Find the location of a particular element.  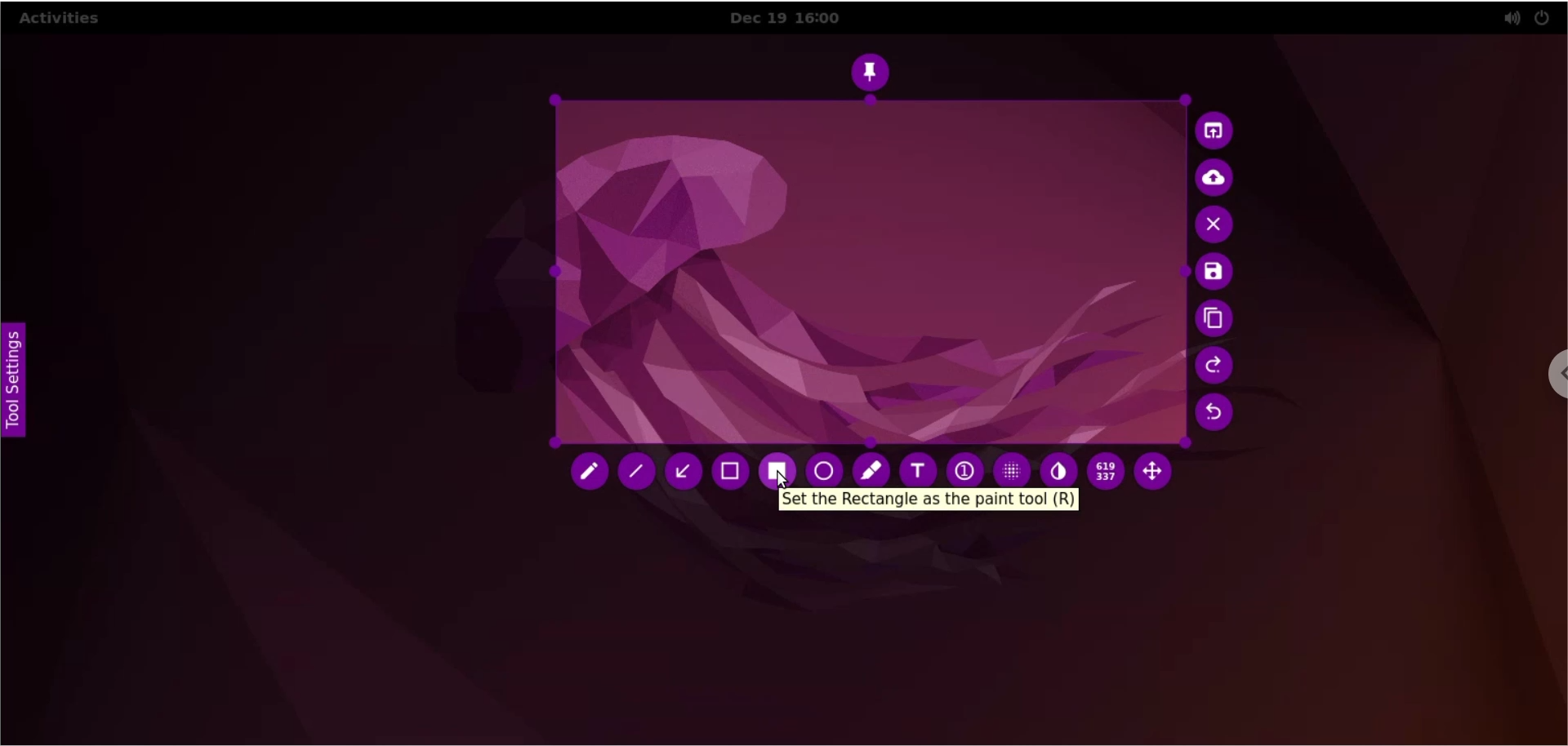

tool settings is located at coordinates (19, 380).